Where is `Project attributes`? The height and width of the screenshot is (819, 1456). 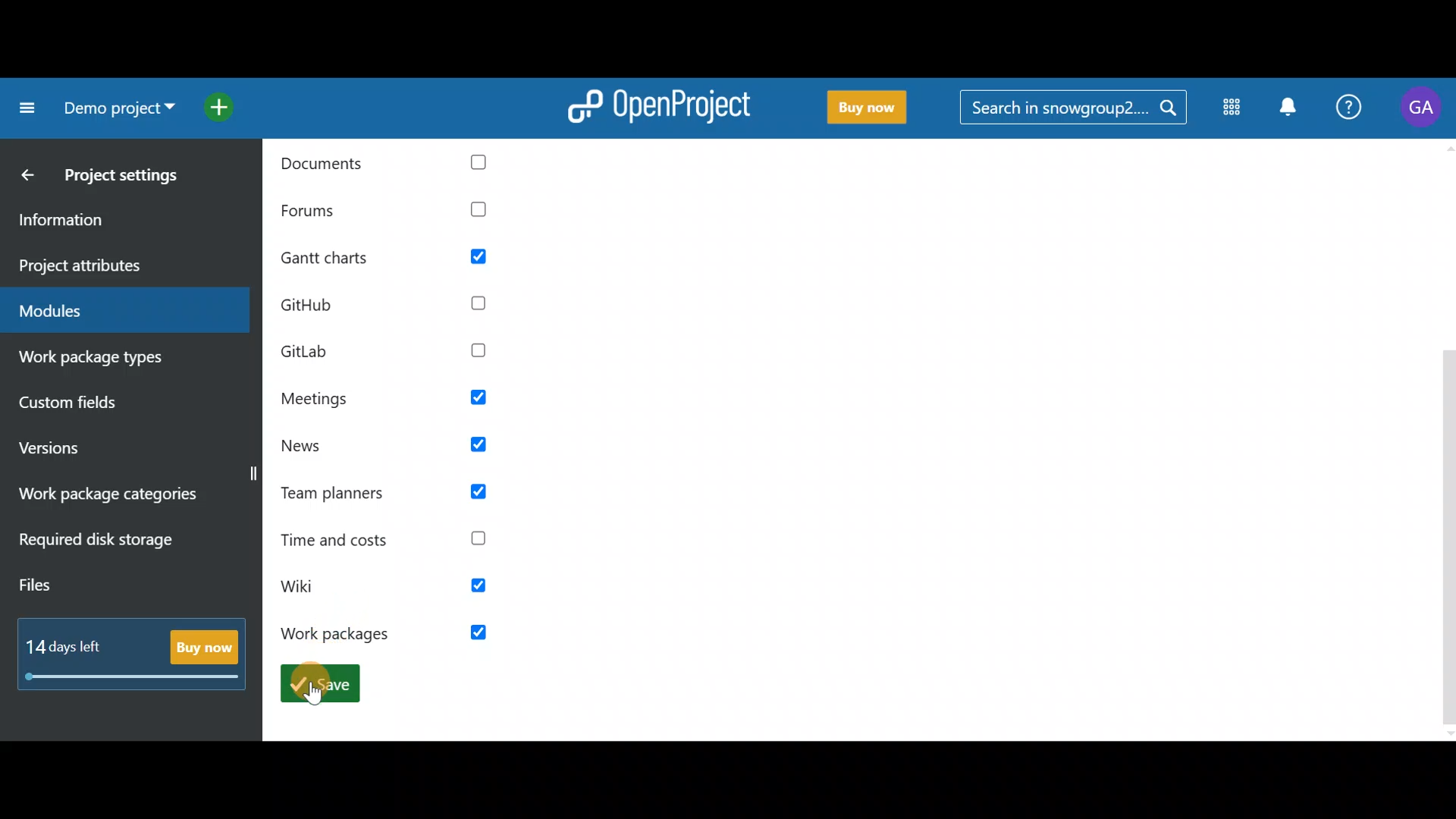 Project attributes is located at coordinates (120, 266).